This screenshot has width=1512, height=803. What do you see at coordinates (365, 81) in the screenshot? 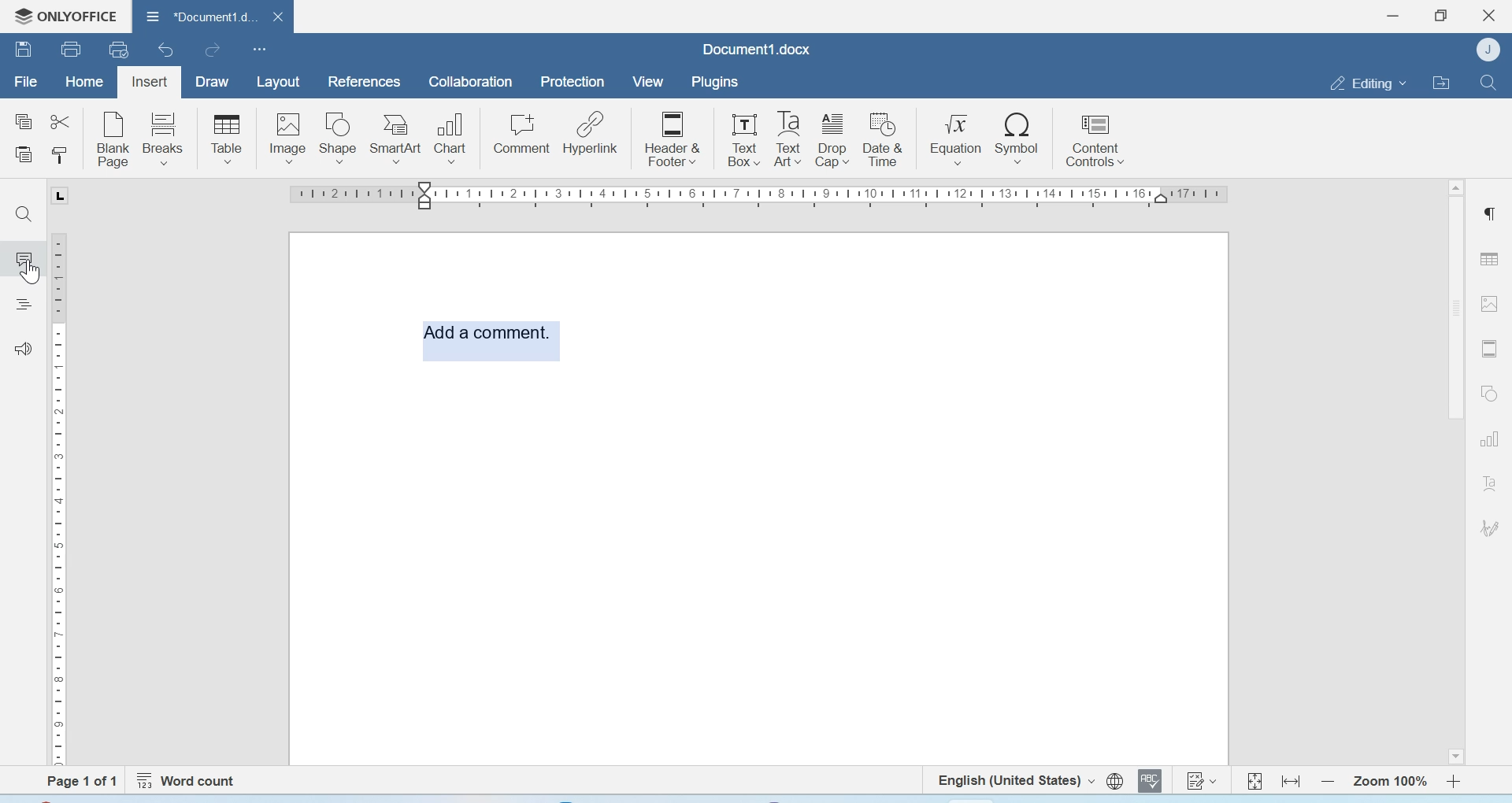
I see `References` at bounding box center [365, 81].